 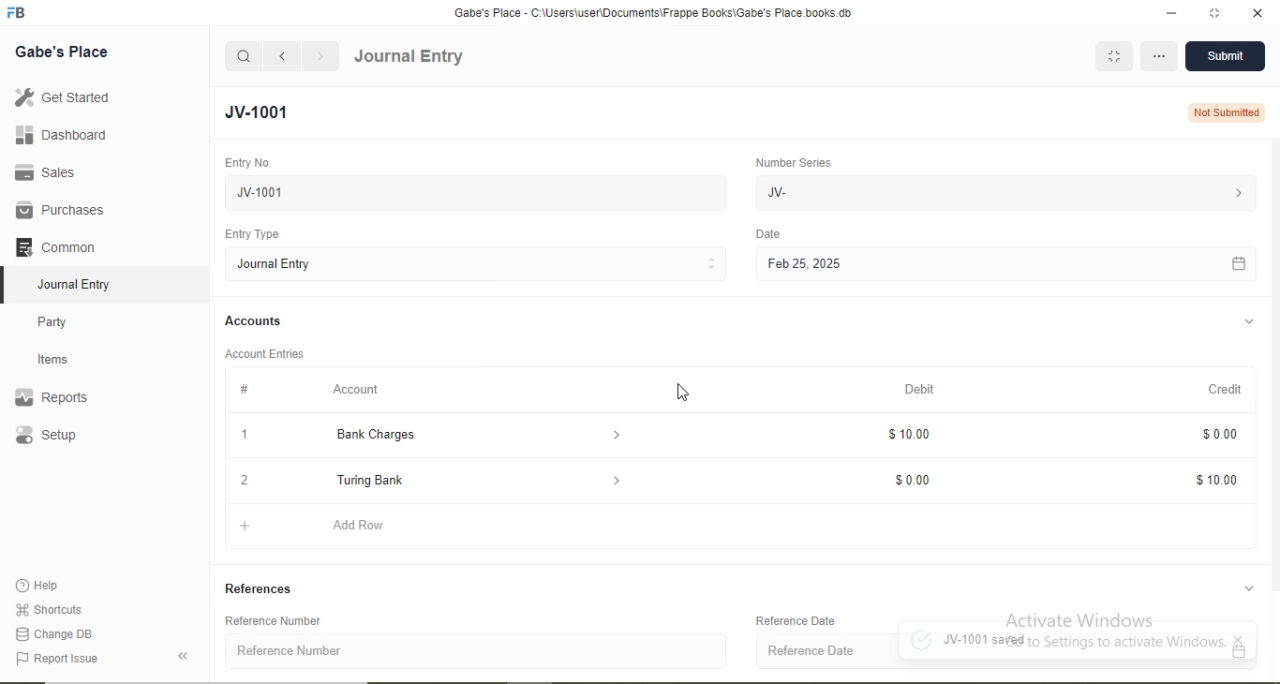 I want to click on Help, so click(x=46, y=586).